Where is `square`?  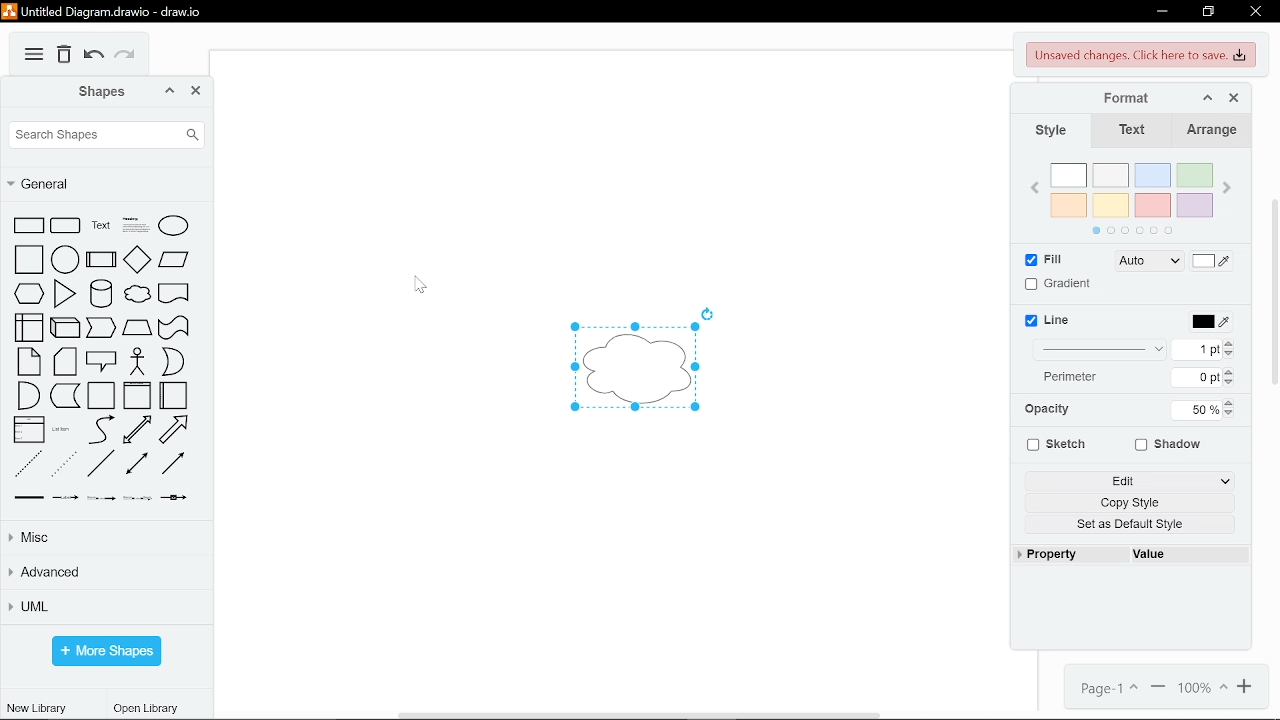 square is located at coordinates (28, 260).